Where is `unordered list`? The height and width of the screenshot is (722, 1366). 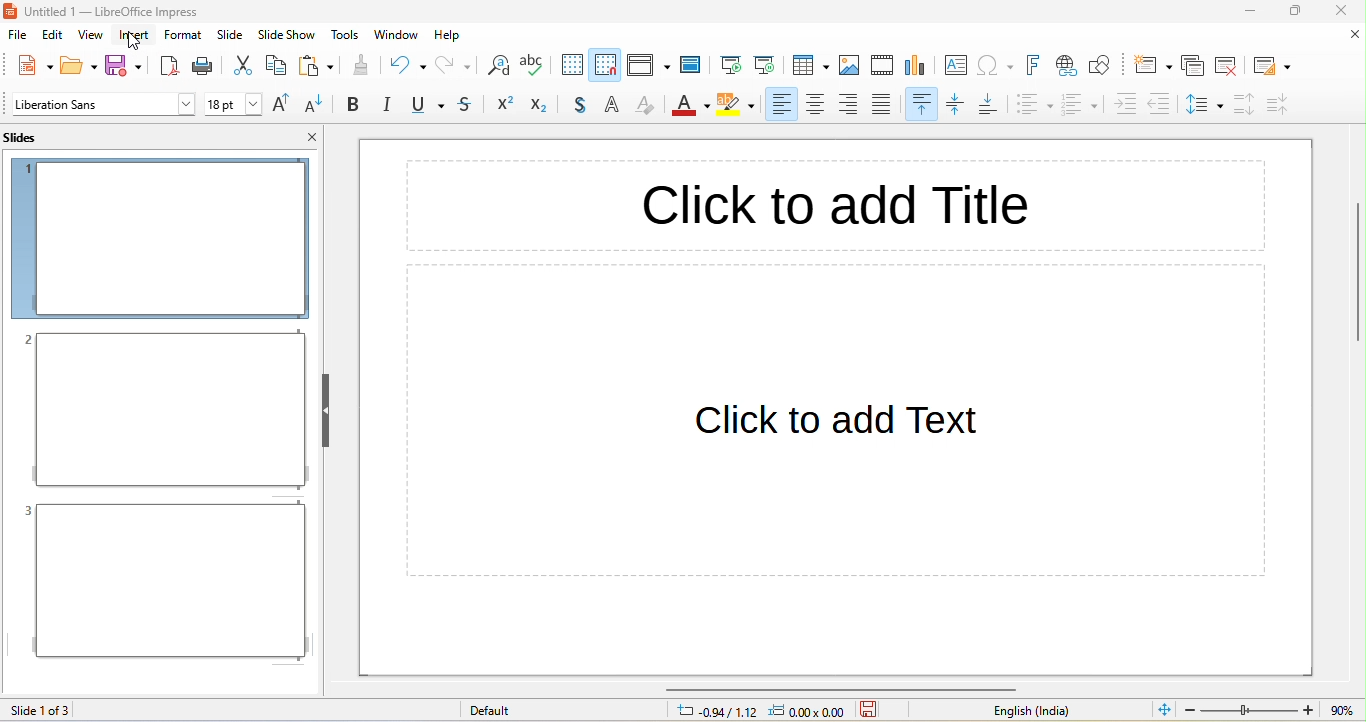
unordered list is located at coordinates (1034, 107).